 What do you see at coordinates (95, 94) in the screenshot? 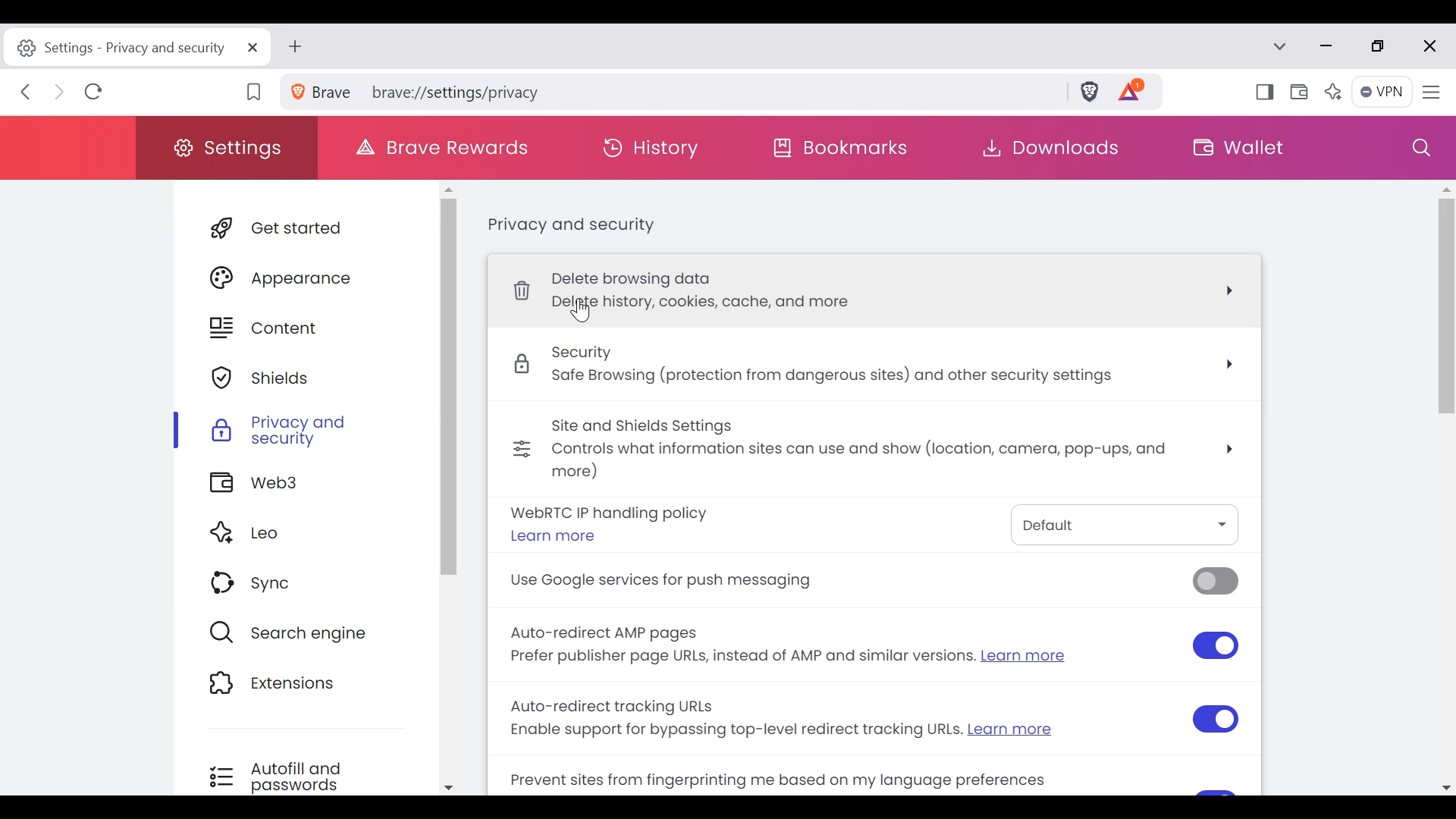
I see `Refresh` at bounding box center [95, 94].